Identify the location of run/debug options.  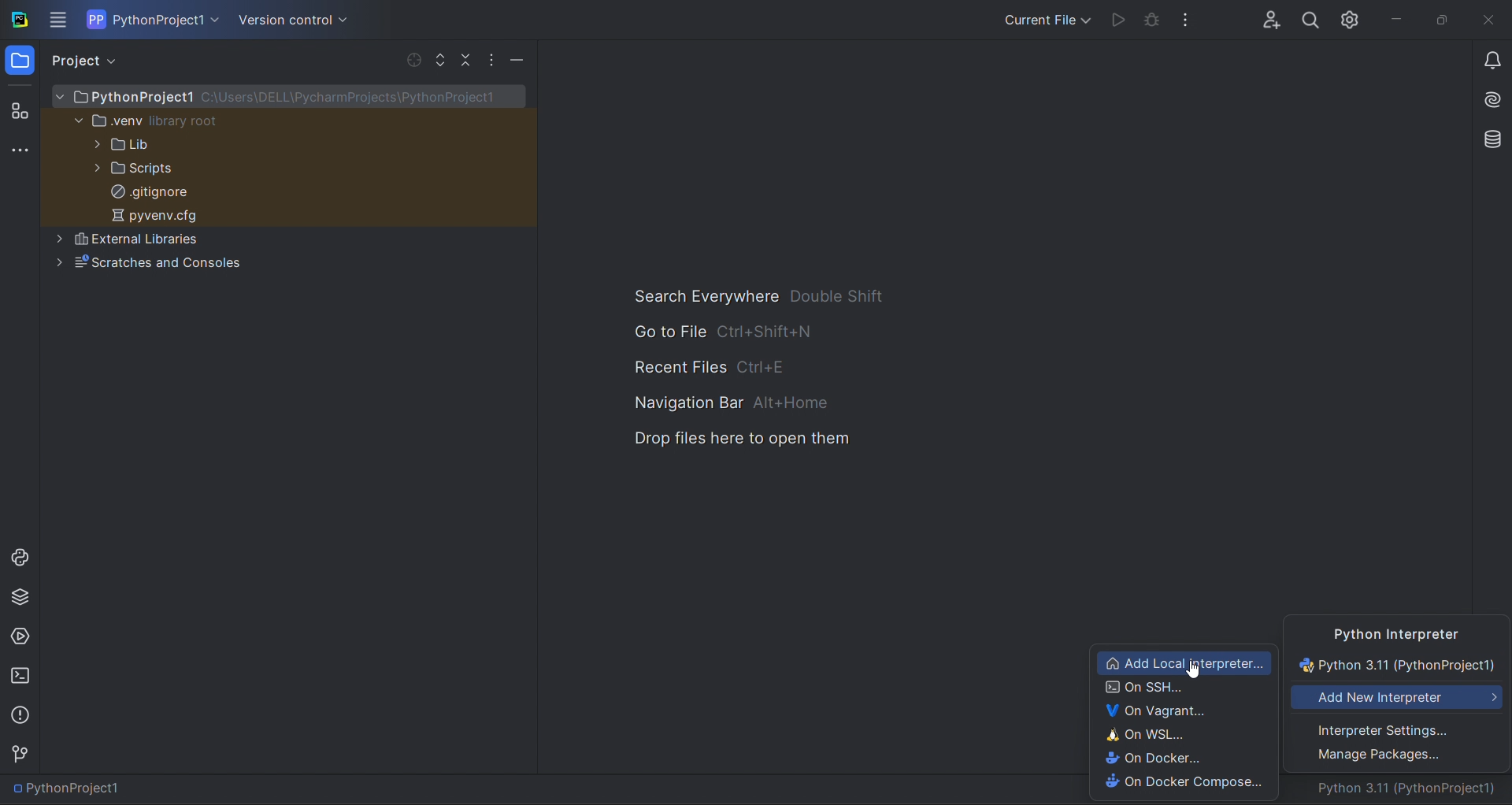
(1044, 18).